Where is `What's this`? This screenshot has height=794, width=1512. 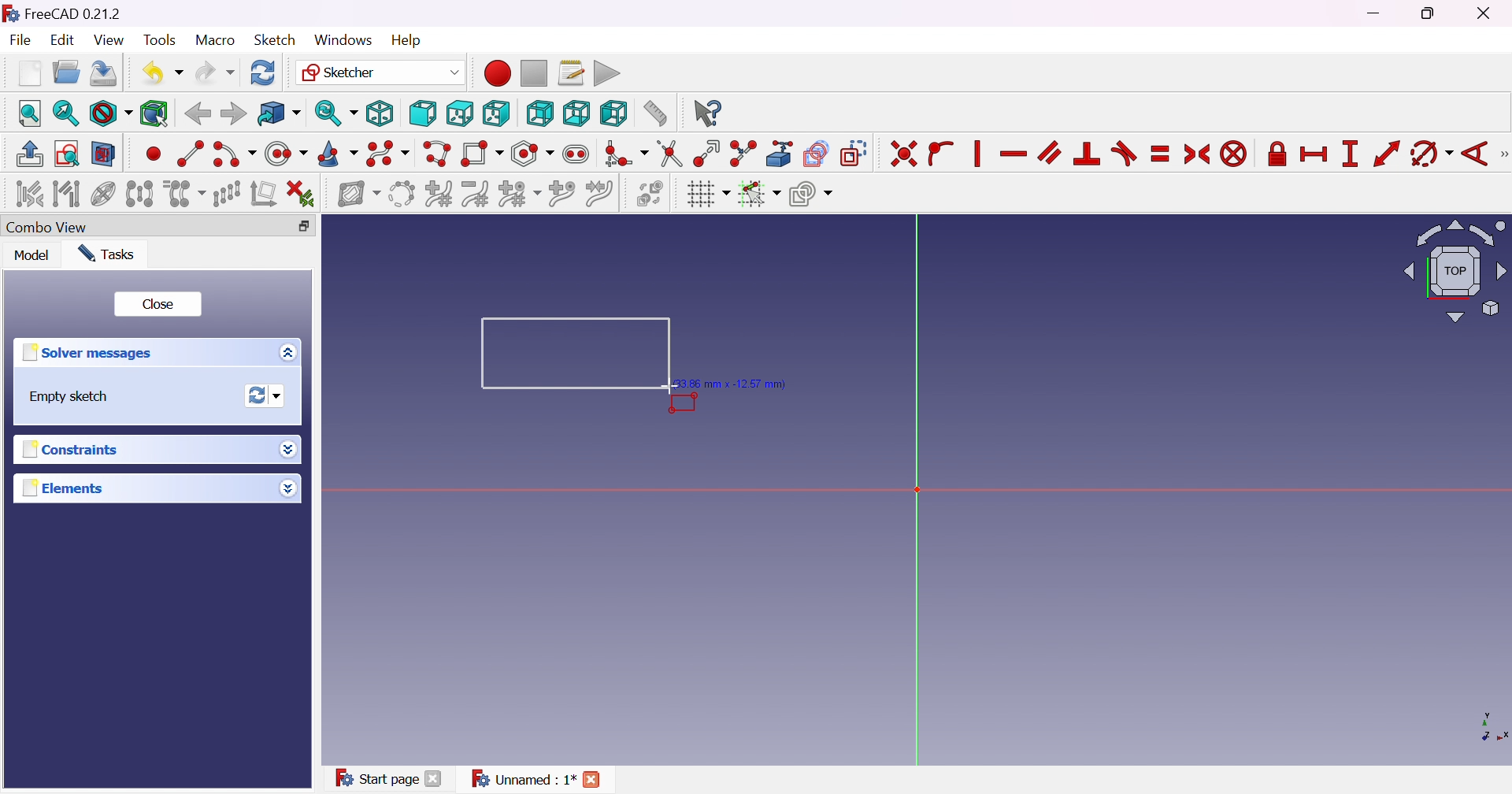
What's this is located at coordinates (707, 113).